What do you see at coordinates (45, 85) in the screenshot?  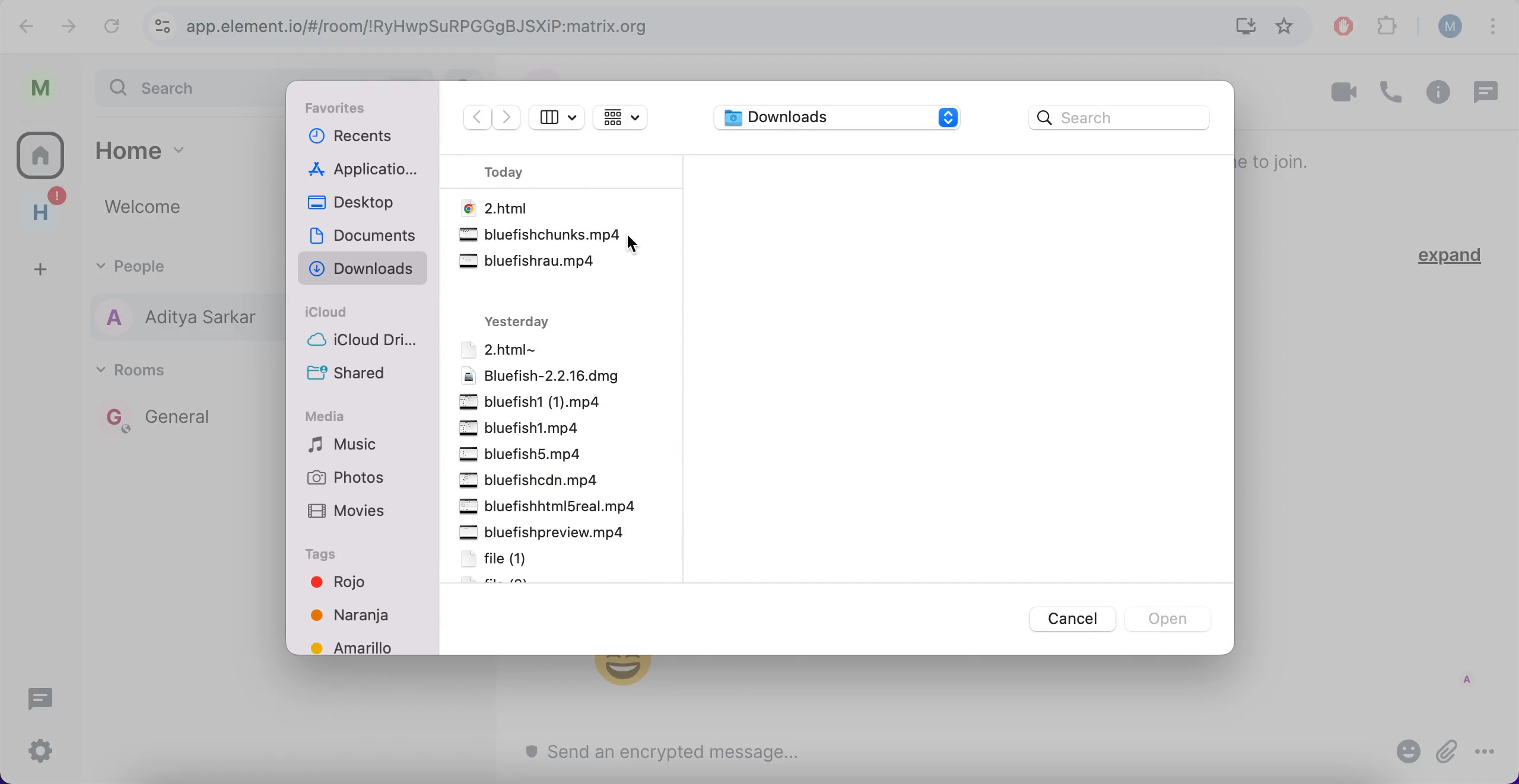 I see `profile` at bounding box center [45, 85].